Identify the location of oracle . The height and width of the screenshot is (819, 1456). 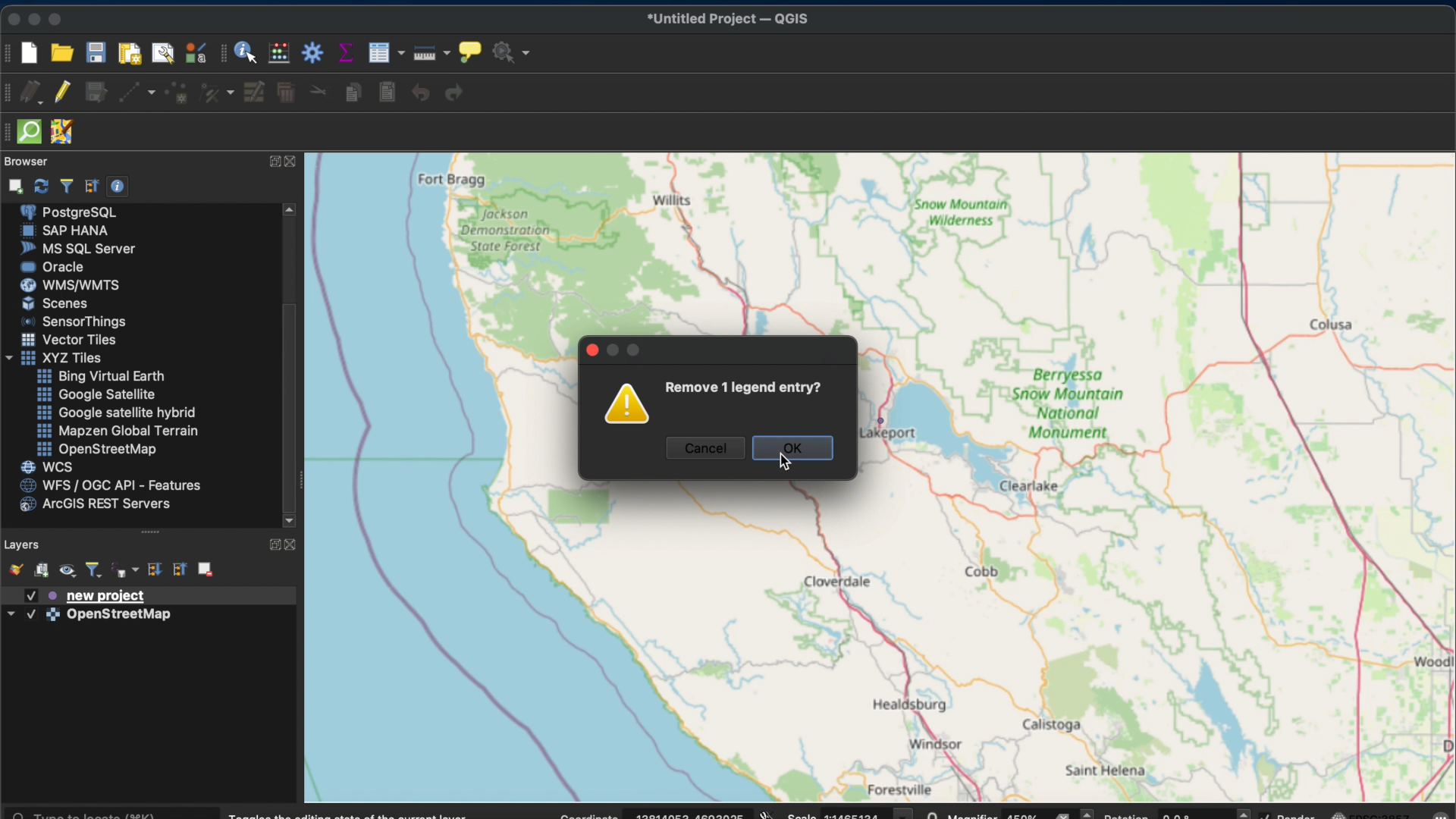
(52, 266).